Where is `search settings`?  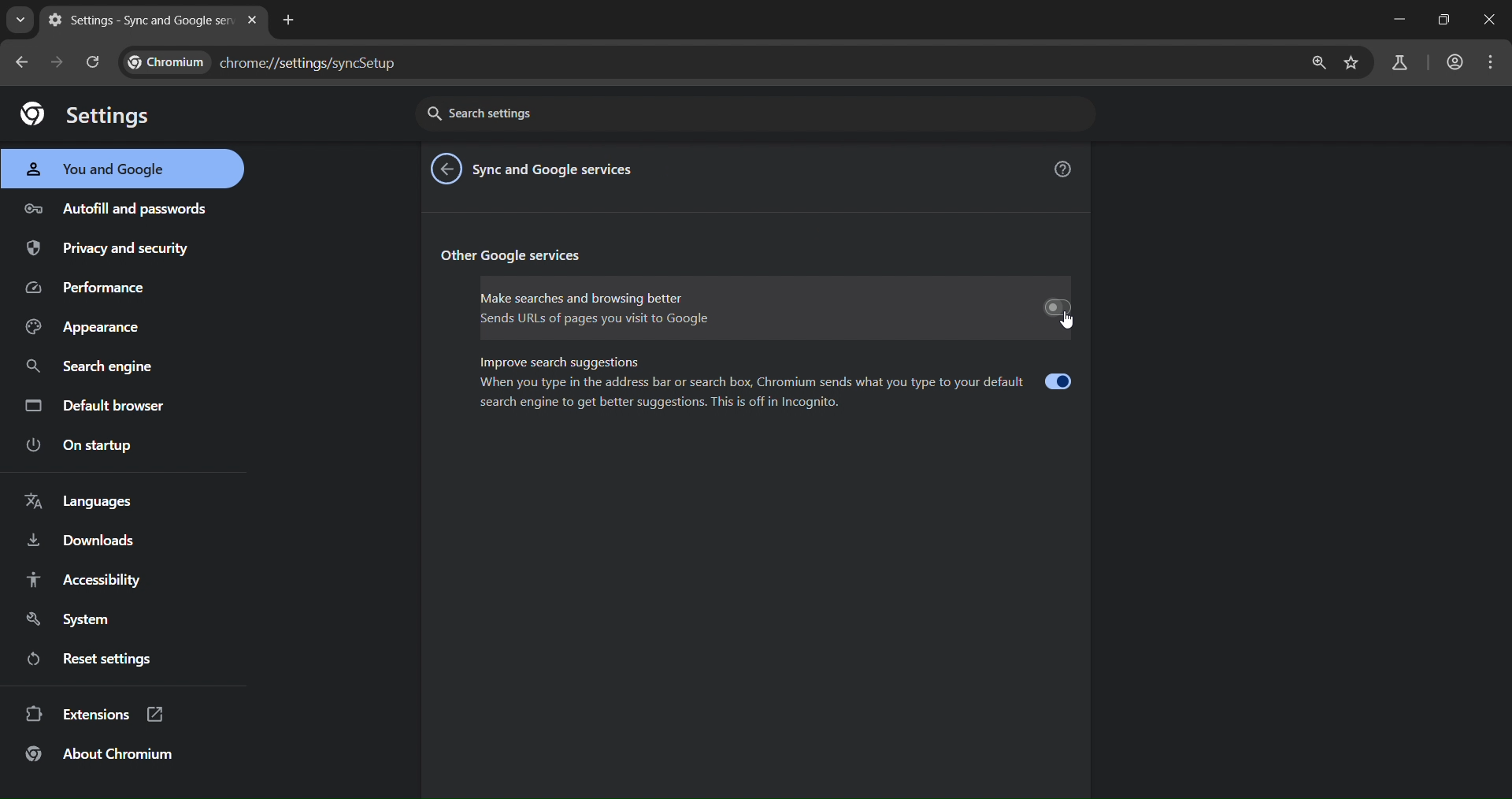 search settings is located at coordinates (757, 115).